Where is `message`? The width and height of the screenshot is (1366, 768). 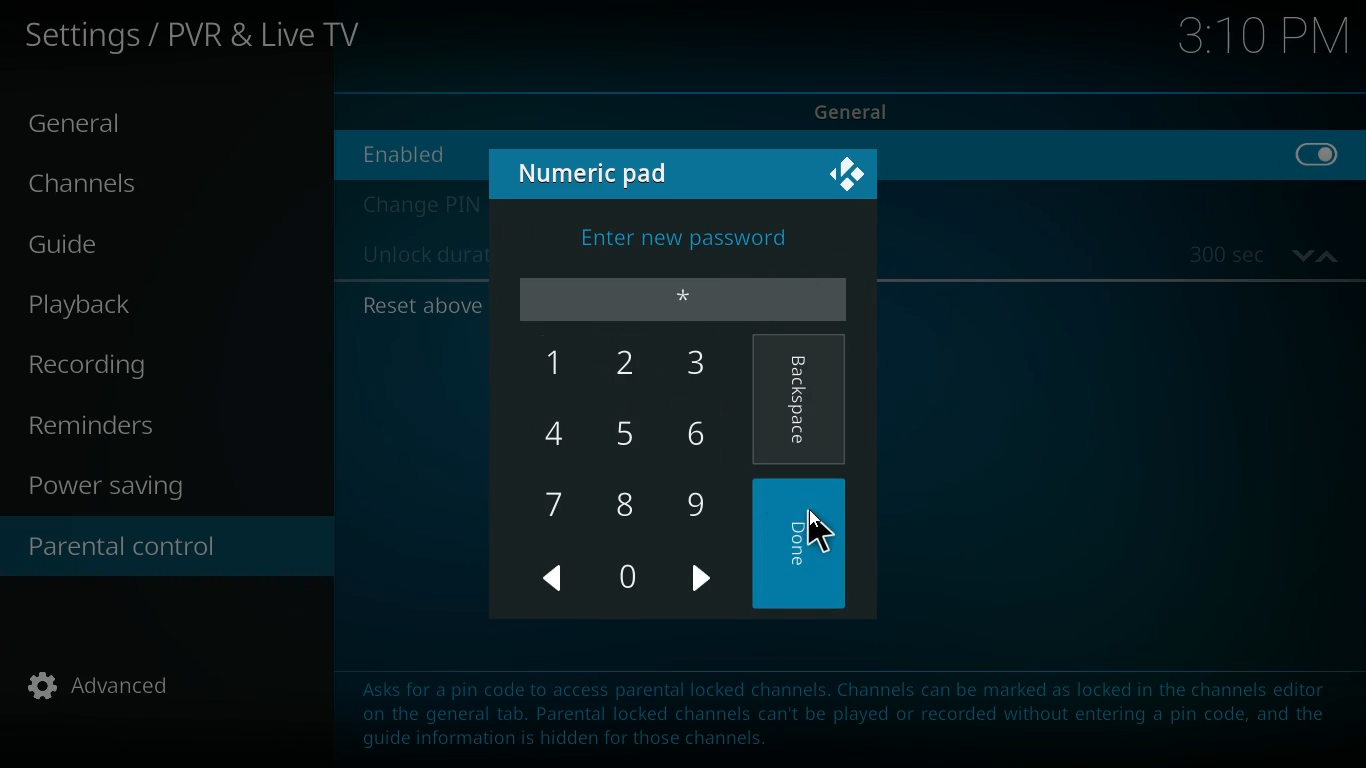 message is located at coordinates (845, 712).